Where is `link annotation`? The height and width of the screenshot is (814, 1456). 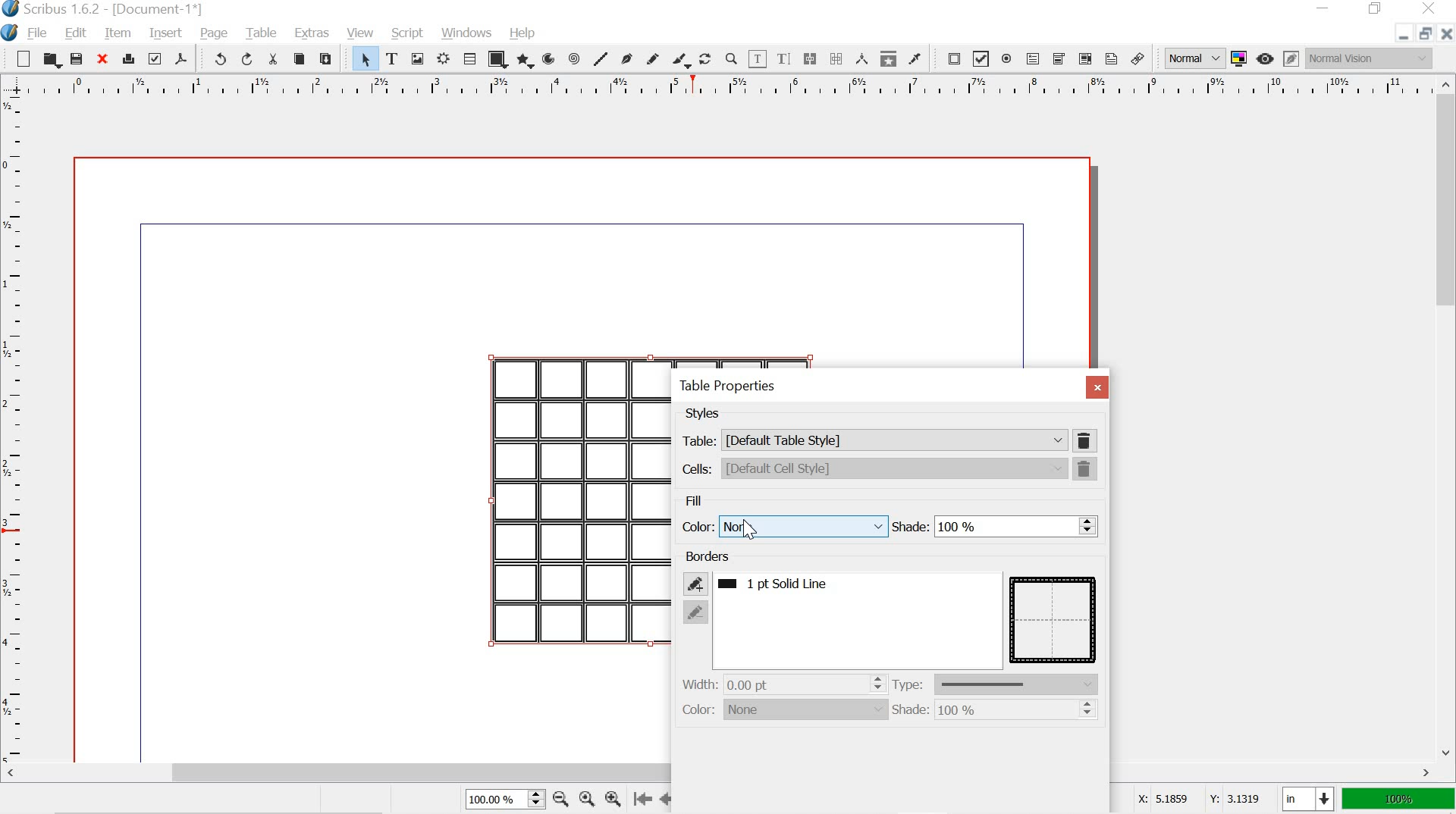
link annotation is located at coordinates (1137, 58).